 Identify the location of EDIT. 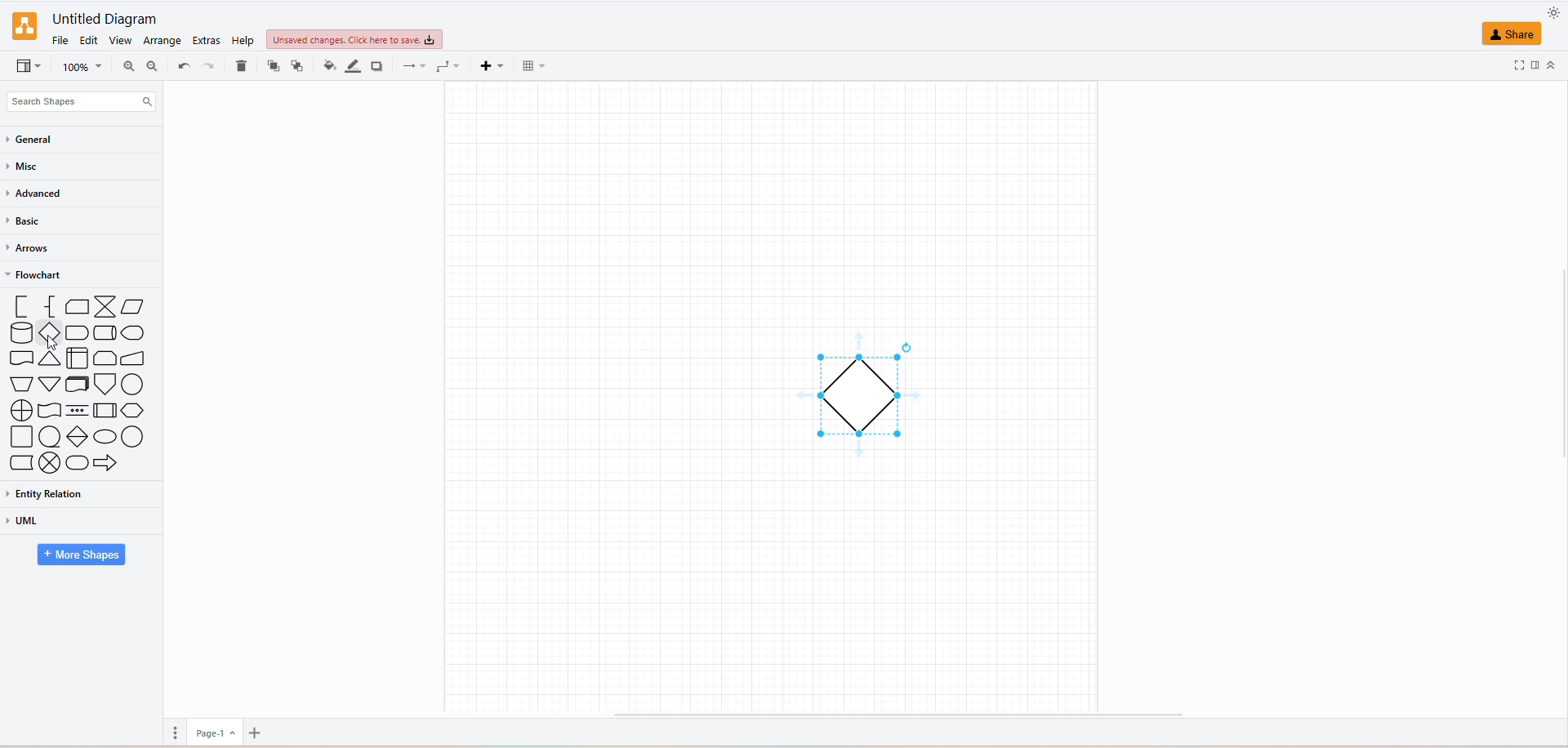
(91, 39).